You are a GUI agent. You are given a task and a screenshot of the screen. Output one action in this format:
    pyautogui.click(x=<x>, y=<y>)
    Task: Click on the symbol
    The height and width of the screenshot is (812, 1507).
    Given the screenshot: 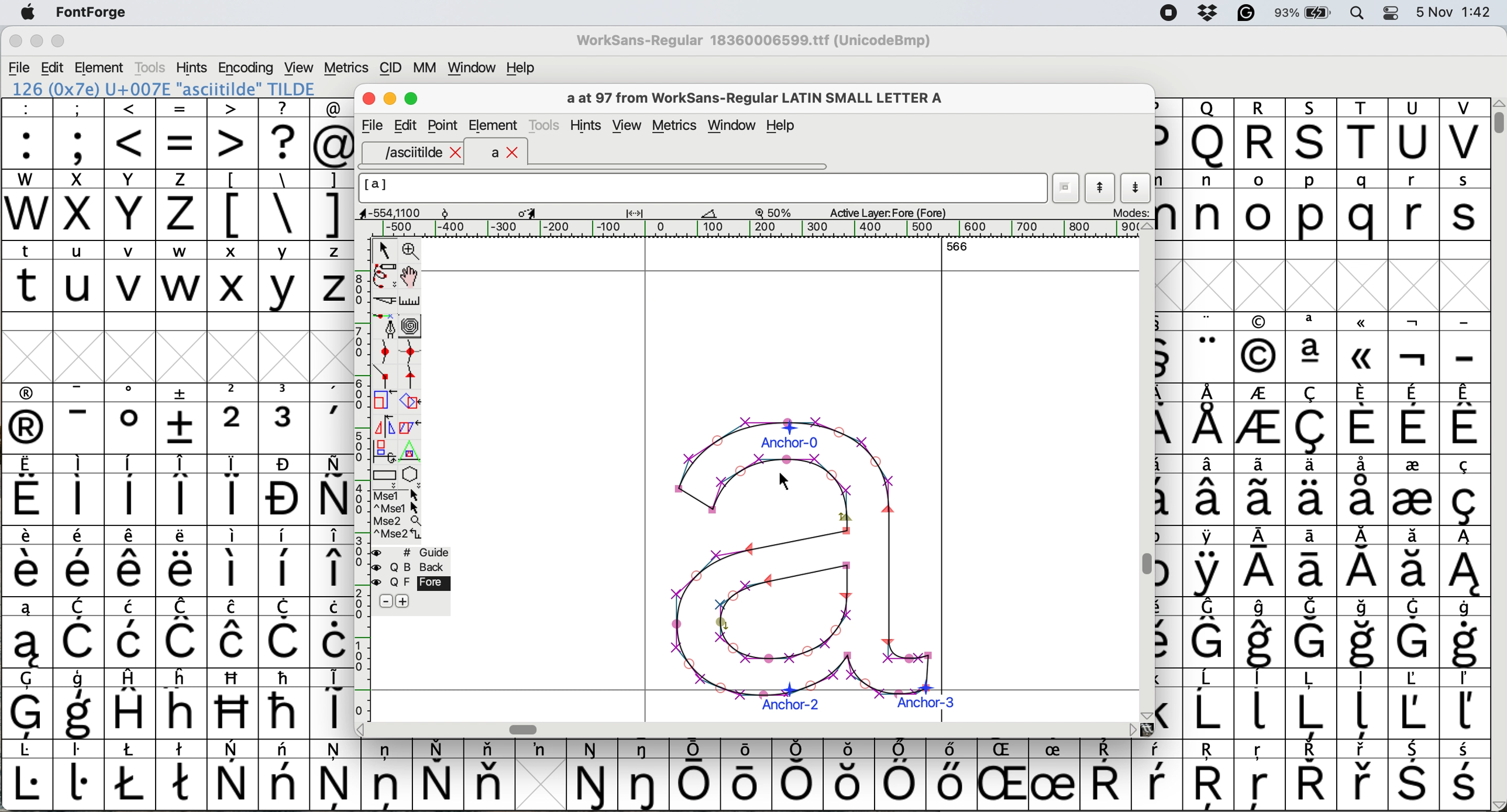 What is the action you would take?
    pyautogui.click(x=181, y=562)
    